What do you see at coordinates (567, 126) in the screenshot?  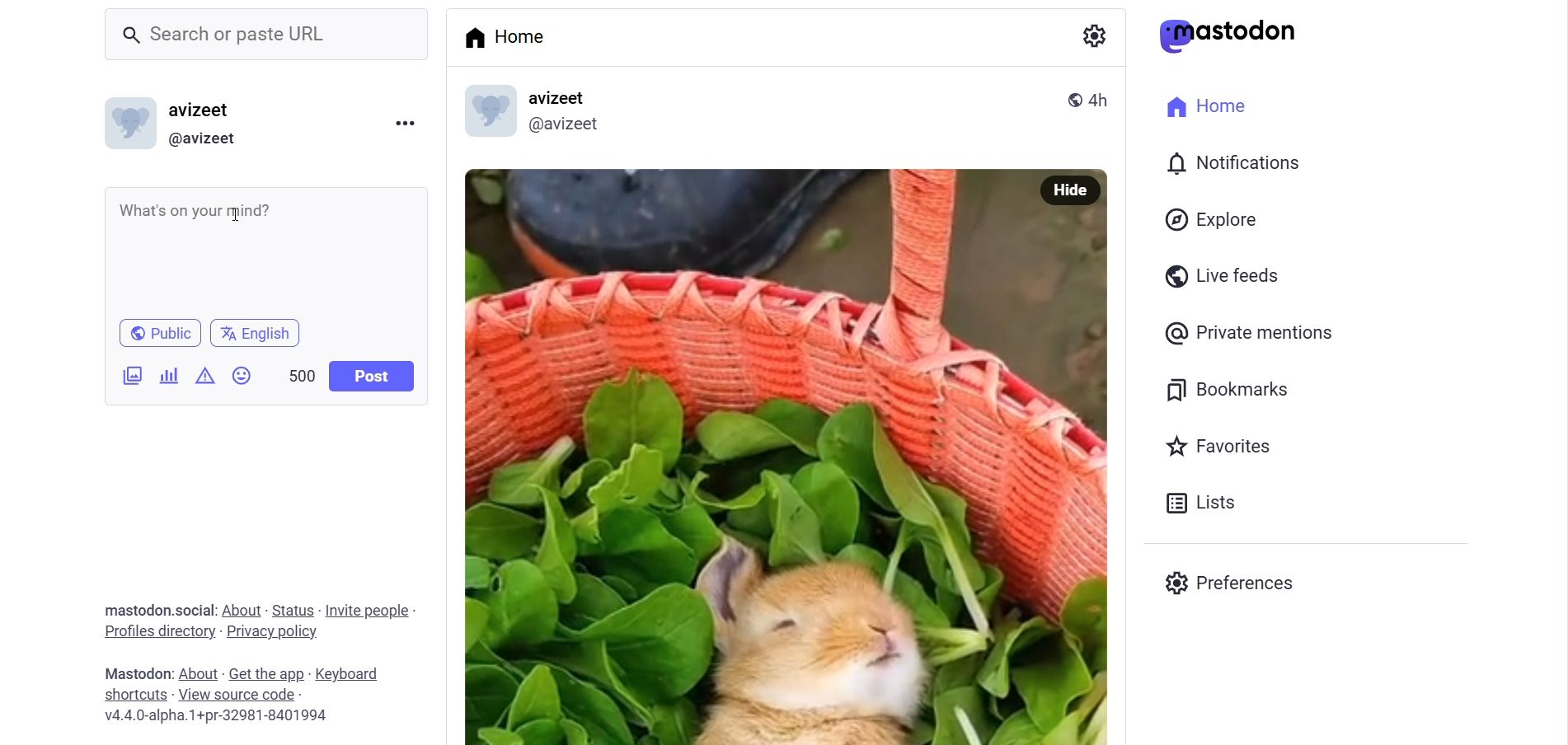 I see `@avizeetl` at bounding box center [567, 126].